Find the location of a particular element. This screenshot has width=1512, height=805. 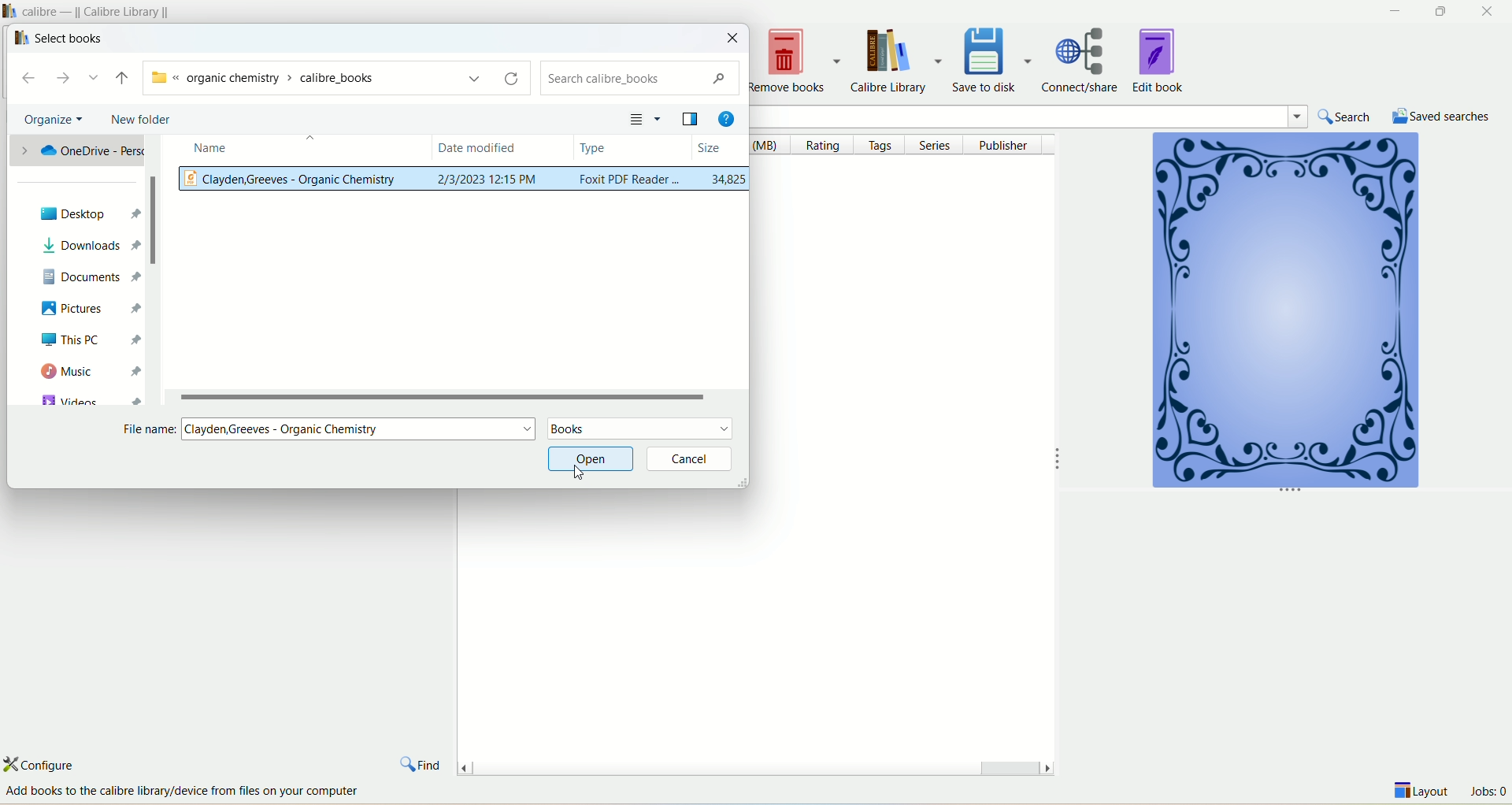

publisher is located at coordinates (1008, 144).